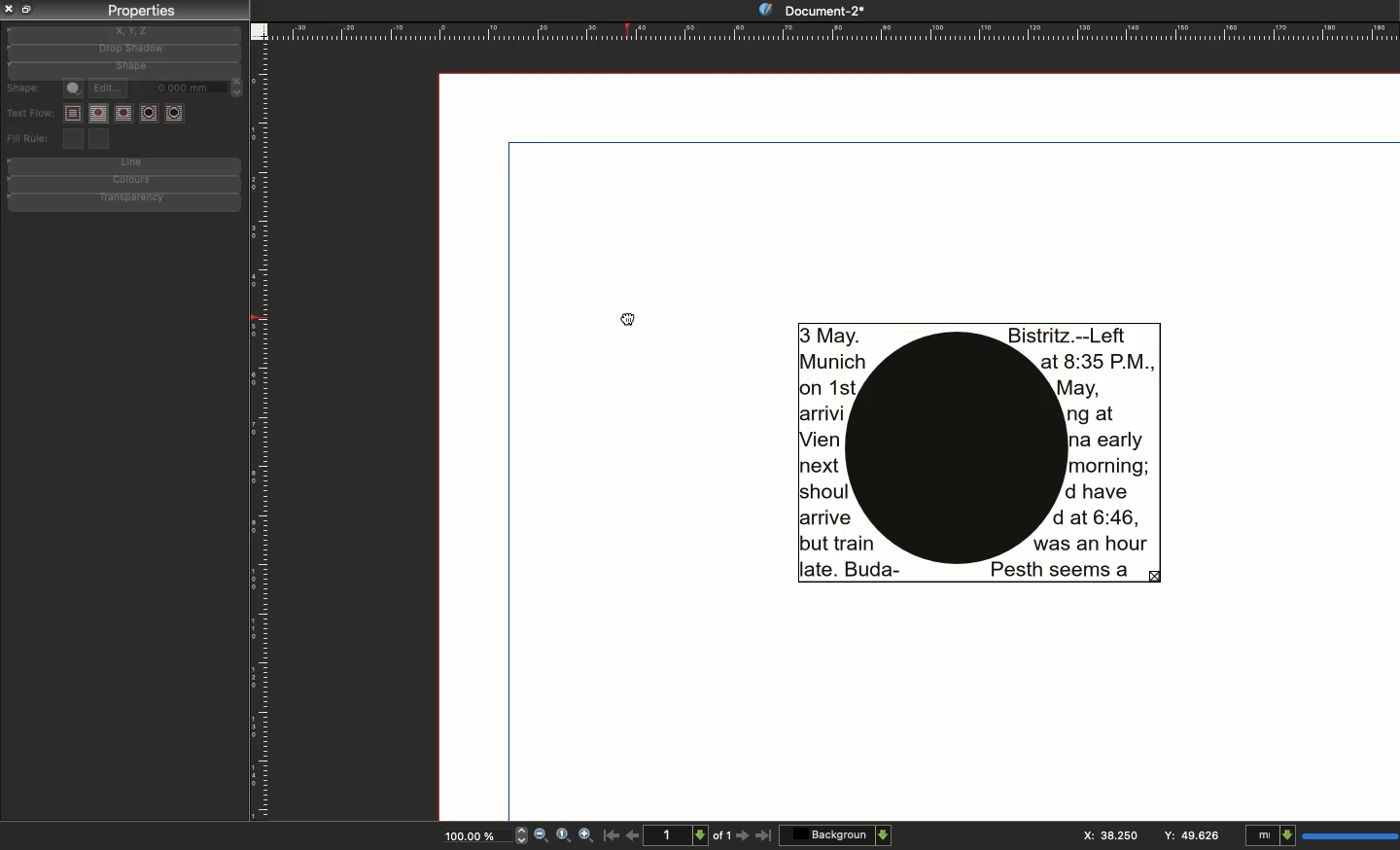  What do you see at coordinates (9, 30) in the screenshot?
I see `Guide` at bounding box center [9, 30].